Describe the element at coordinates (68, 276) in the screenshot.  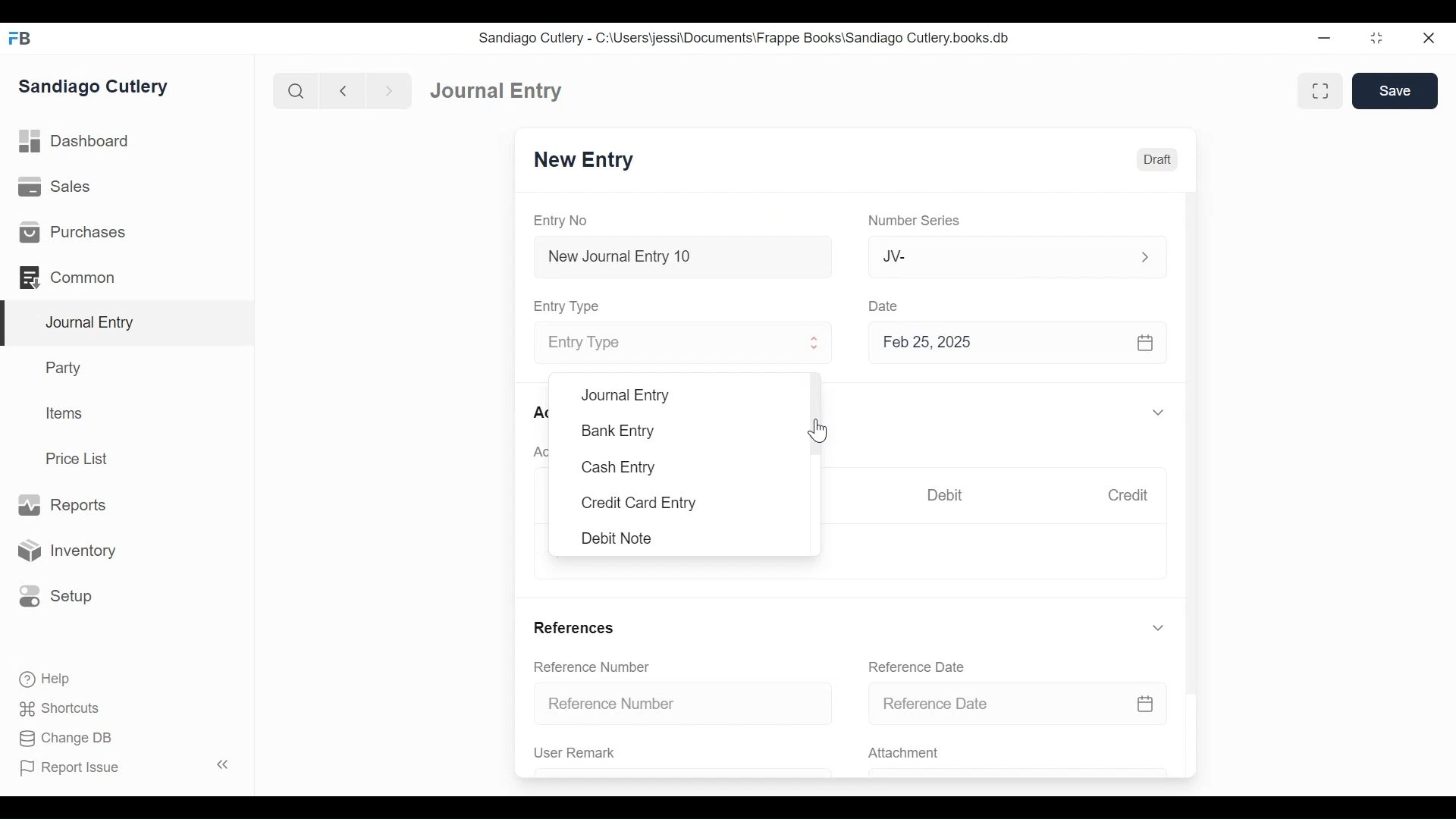
I see `Common` at that location.